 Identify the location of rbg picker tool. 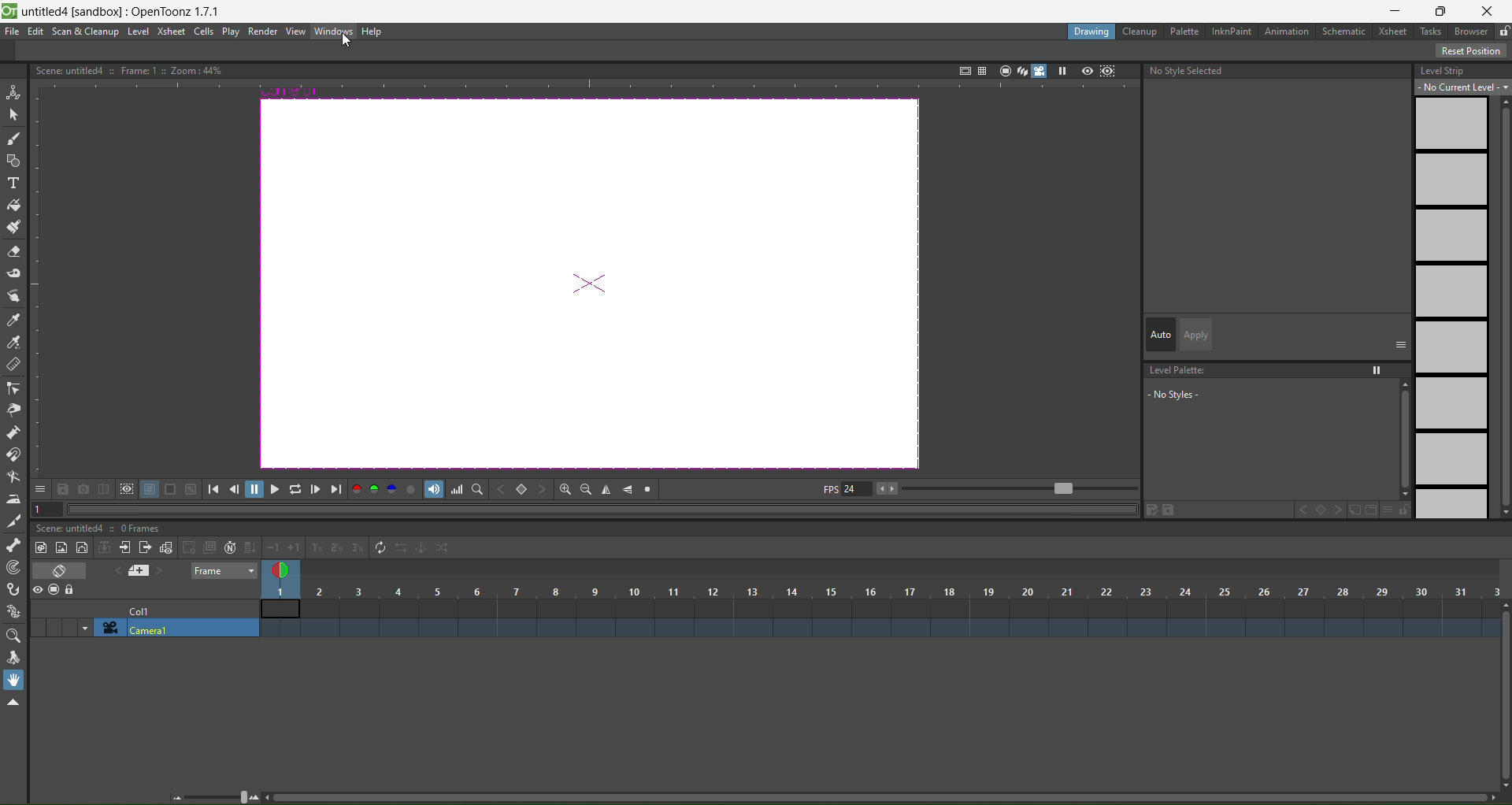
(14, 343).